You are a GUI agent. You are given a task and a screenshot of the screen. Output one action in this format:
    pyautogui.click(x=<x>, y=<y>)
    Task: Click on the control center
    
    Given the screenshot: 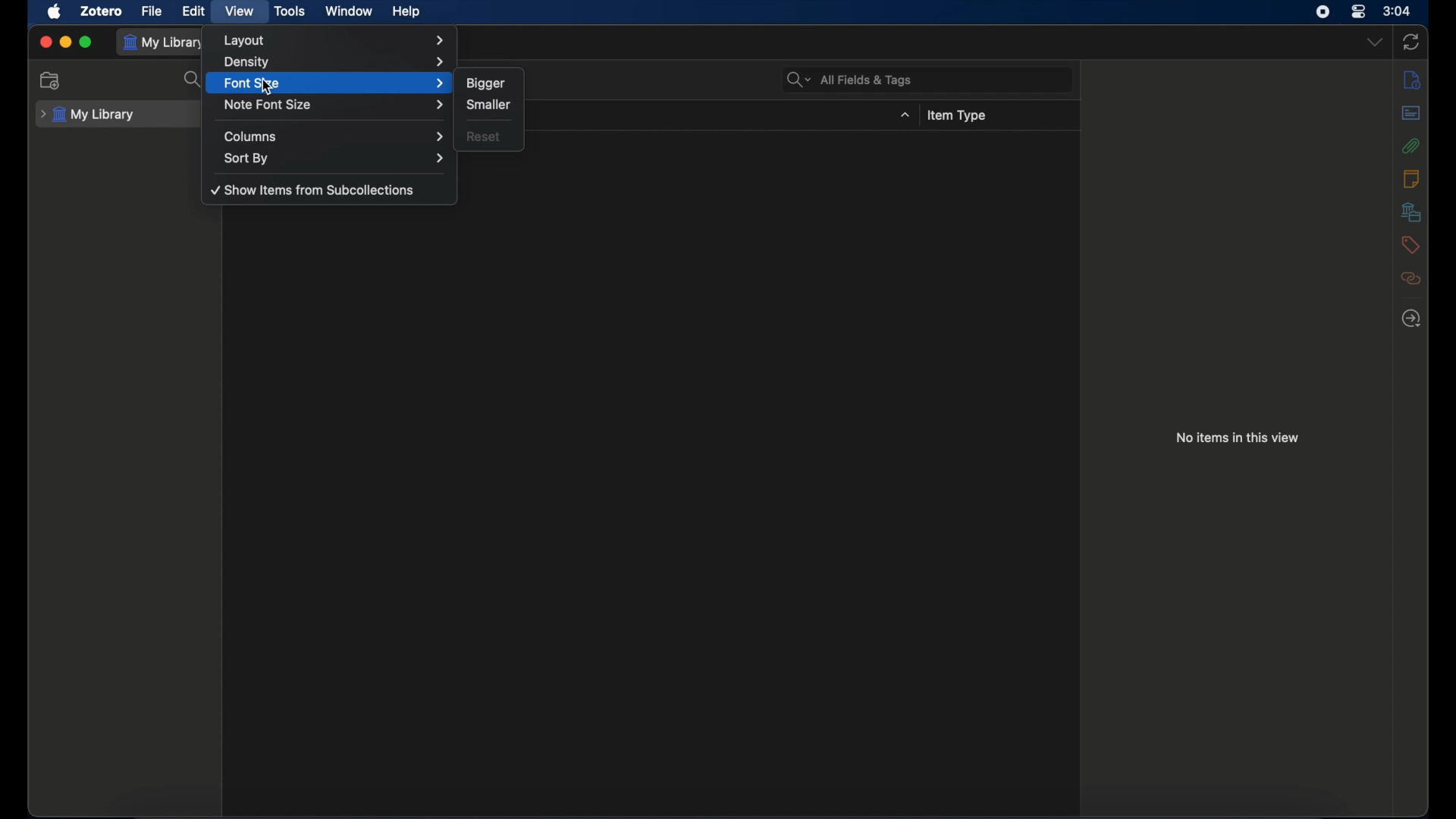 What is the action you would take?
    pyautogui.click(x=1359, y=11)
    